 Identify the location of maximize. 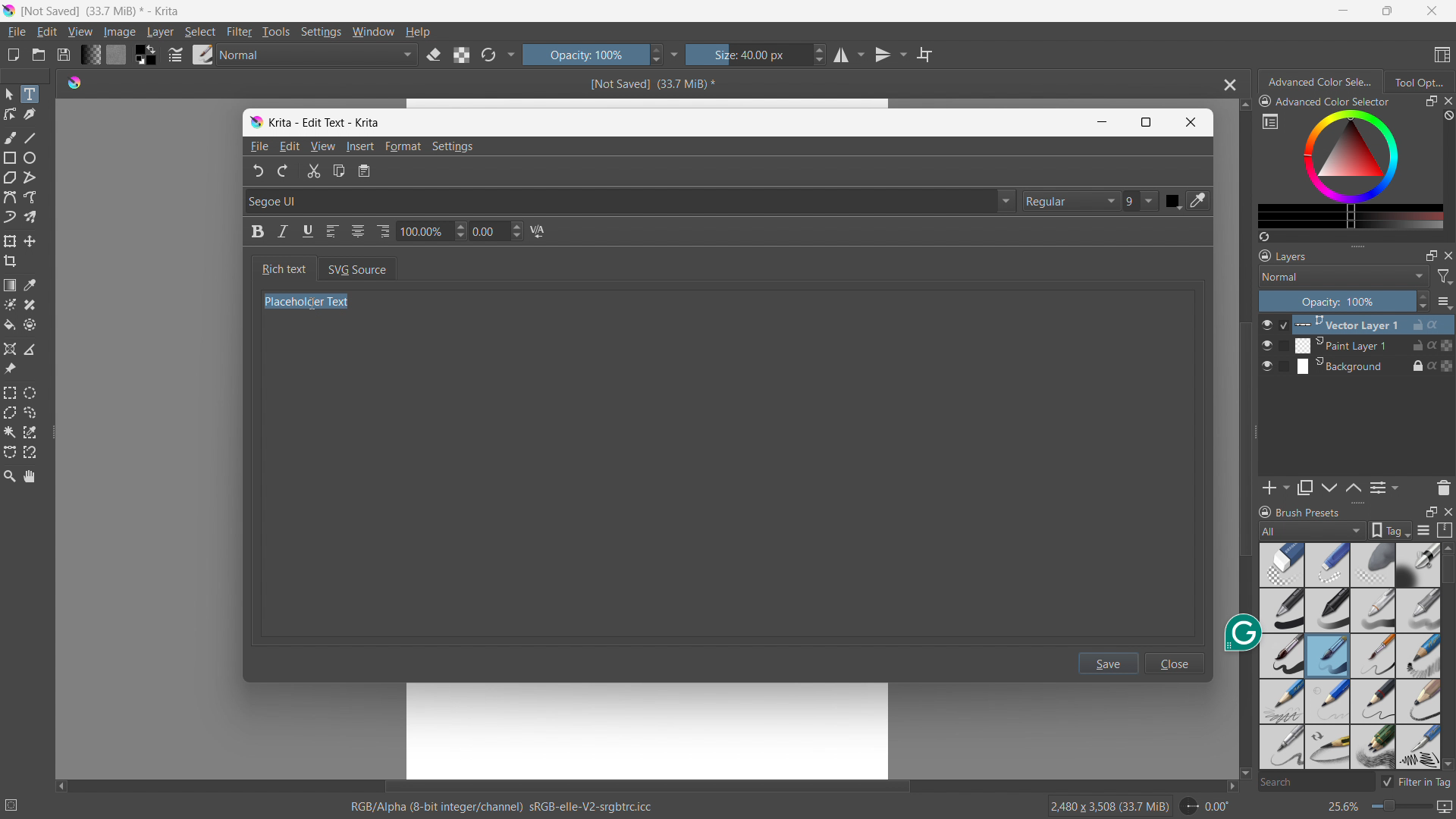
(1430, 511).